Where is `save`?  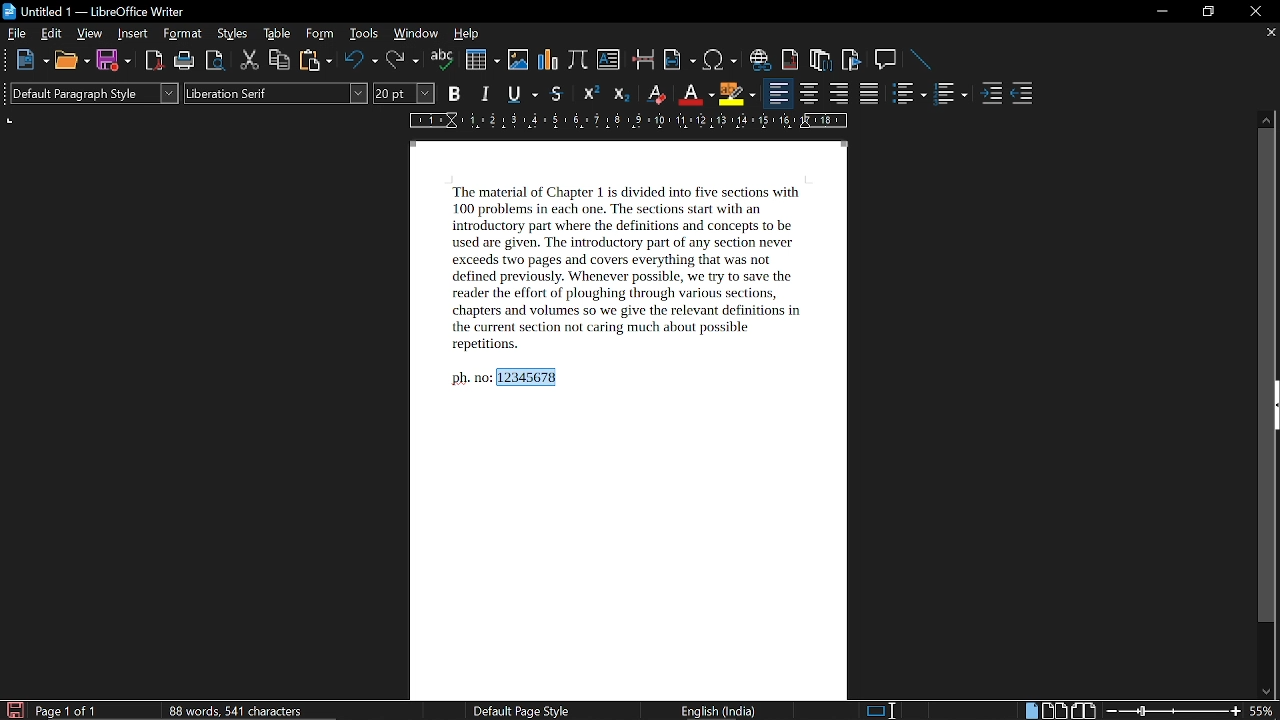 save is located at coordinates (113, 60).